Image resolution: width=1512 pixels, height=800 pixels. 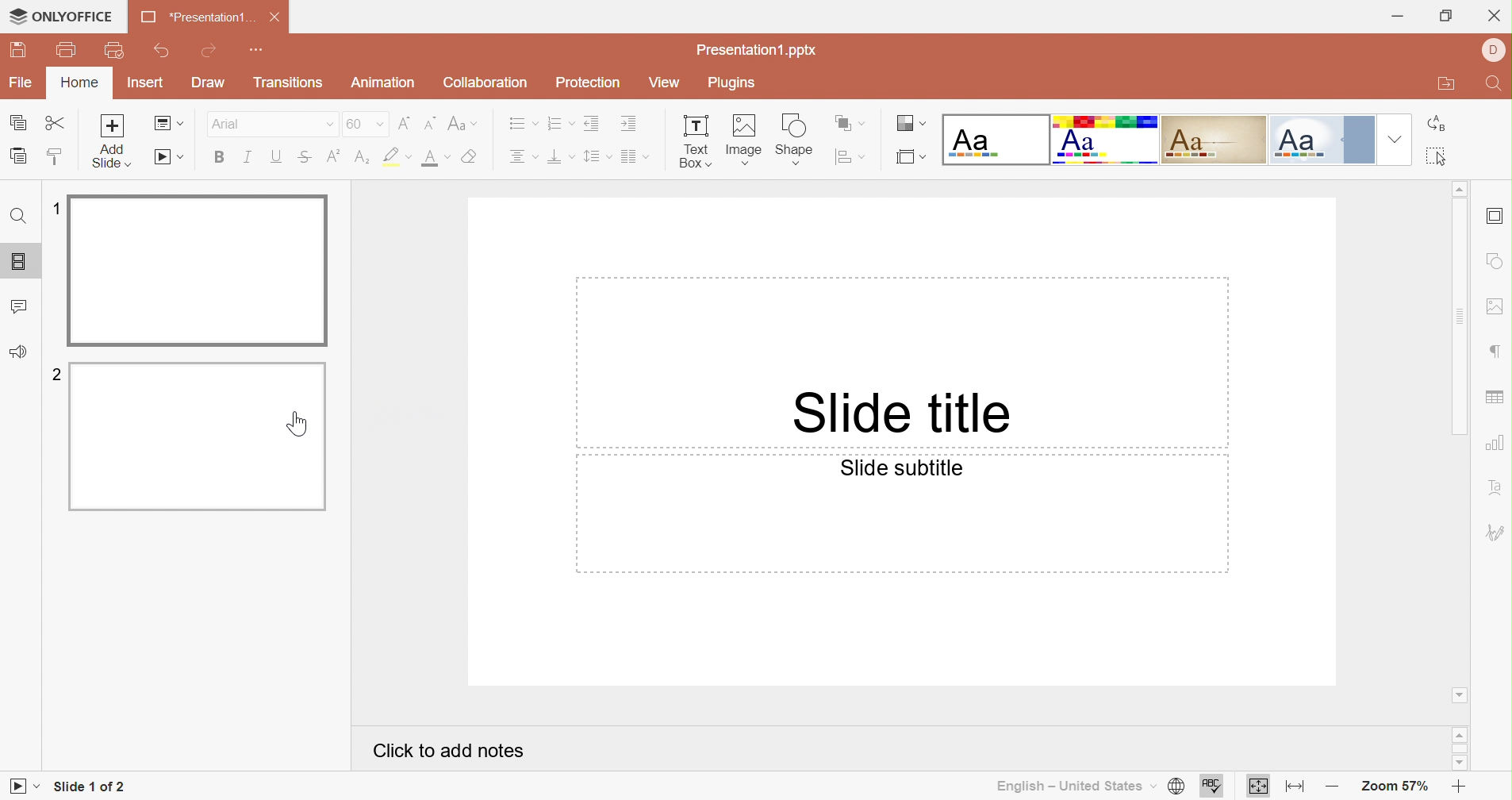 What do you see at coordinates (850, 121) in the screenshot?
I see `Arrange shapes` at bounding box center [850, 121].